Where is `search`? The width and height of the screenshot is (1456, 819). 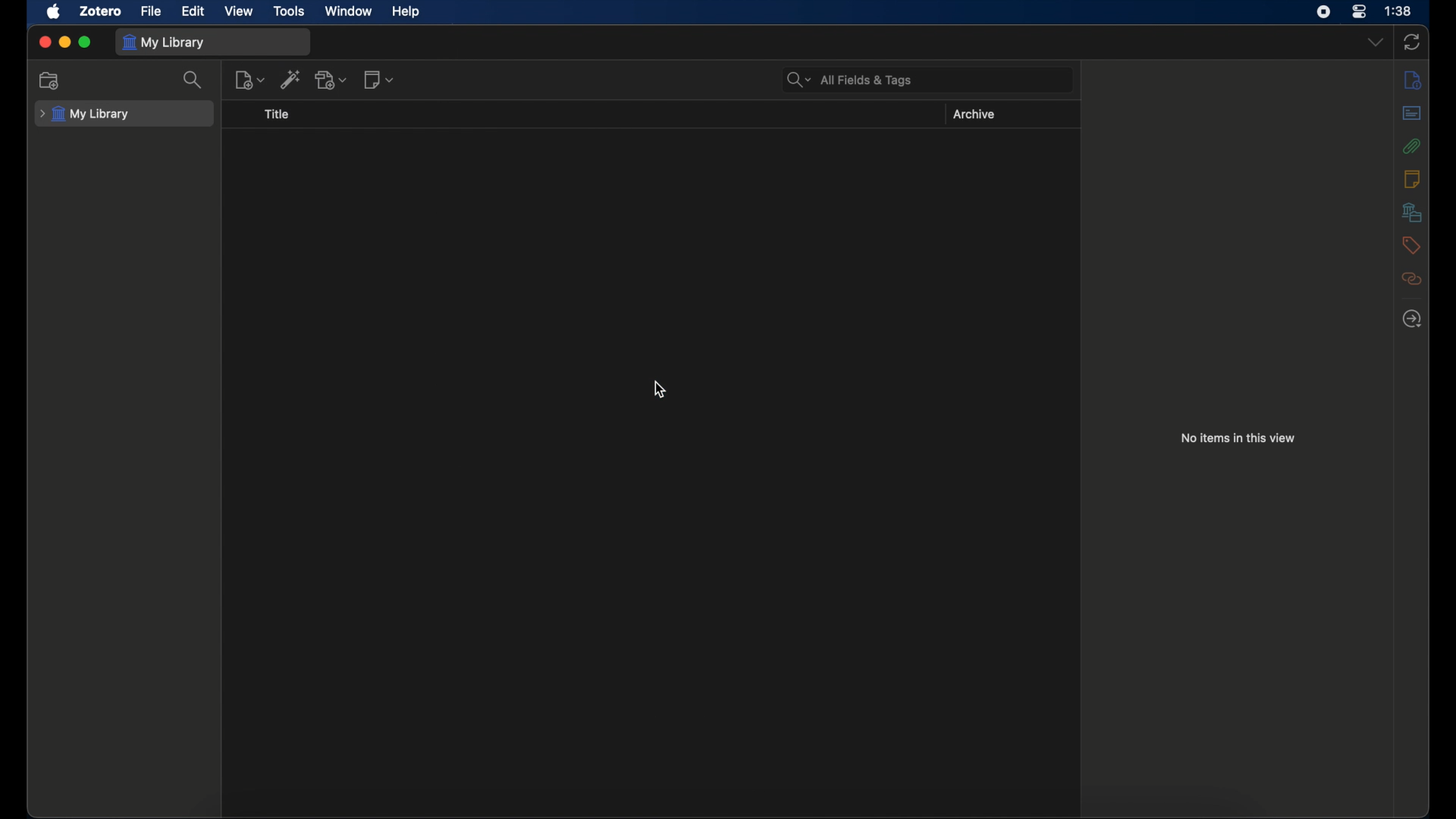
search is located at coordinates (194, 80).